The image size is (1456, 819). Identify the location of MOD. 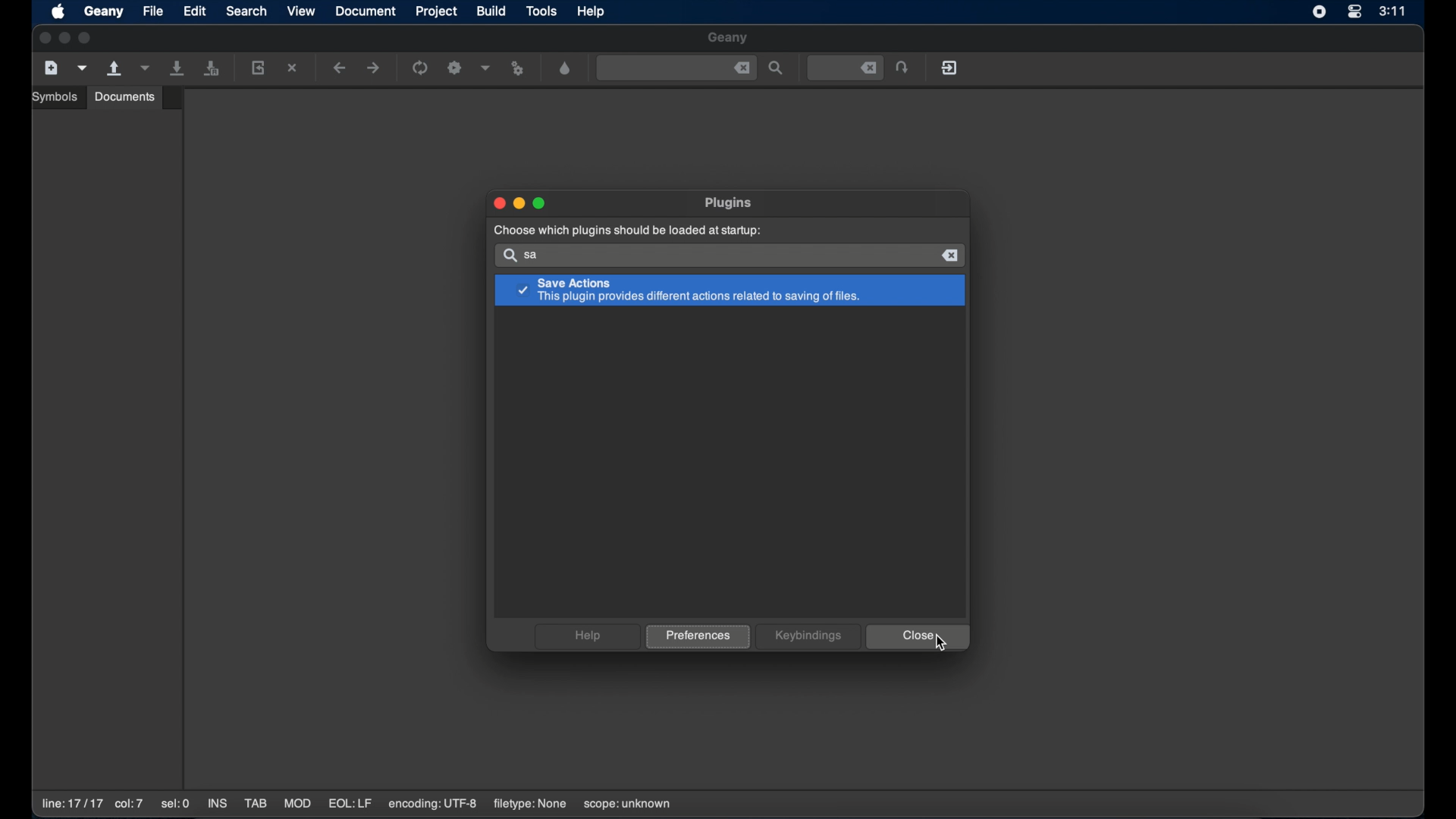
(297, 804).